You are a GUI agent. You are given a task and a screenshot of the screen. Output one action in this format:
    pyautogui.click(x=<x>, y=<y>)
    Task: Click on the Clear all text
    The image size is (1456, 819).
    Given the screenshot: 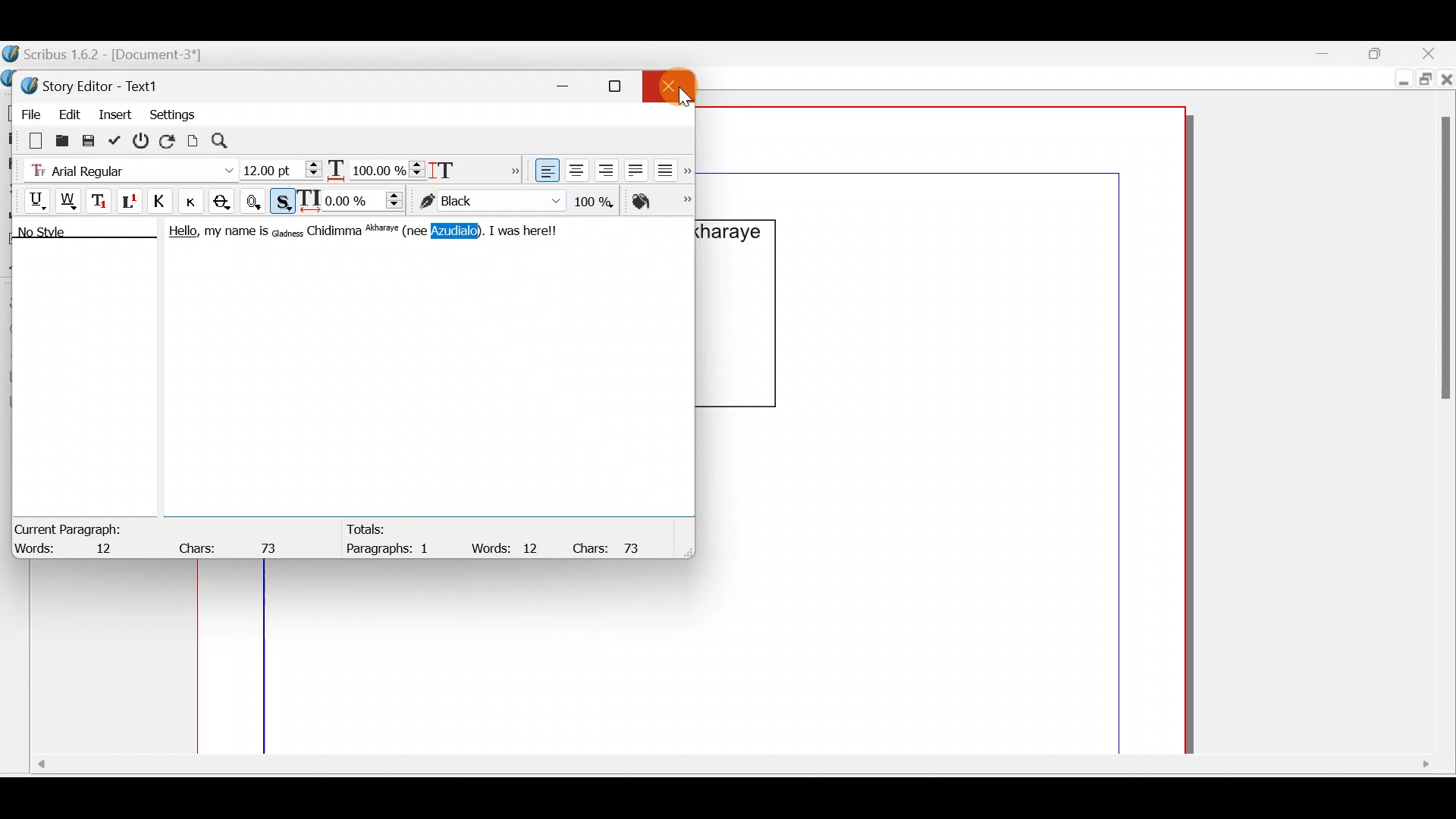 What is the action you would take?
    pyautogui.click(x=28, y=140)
    